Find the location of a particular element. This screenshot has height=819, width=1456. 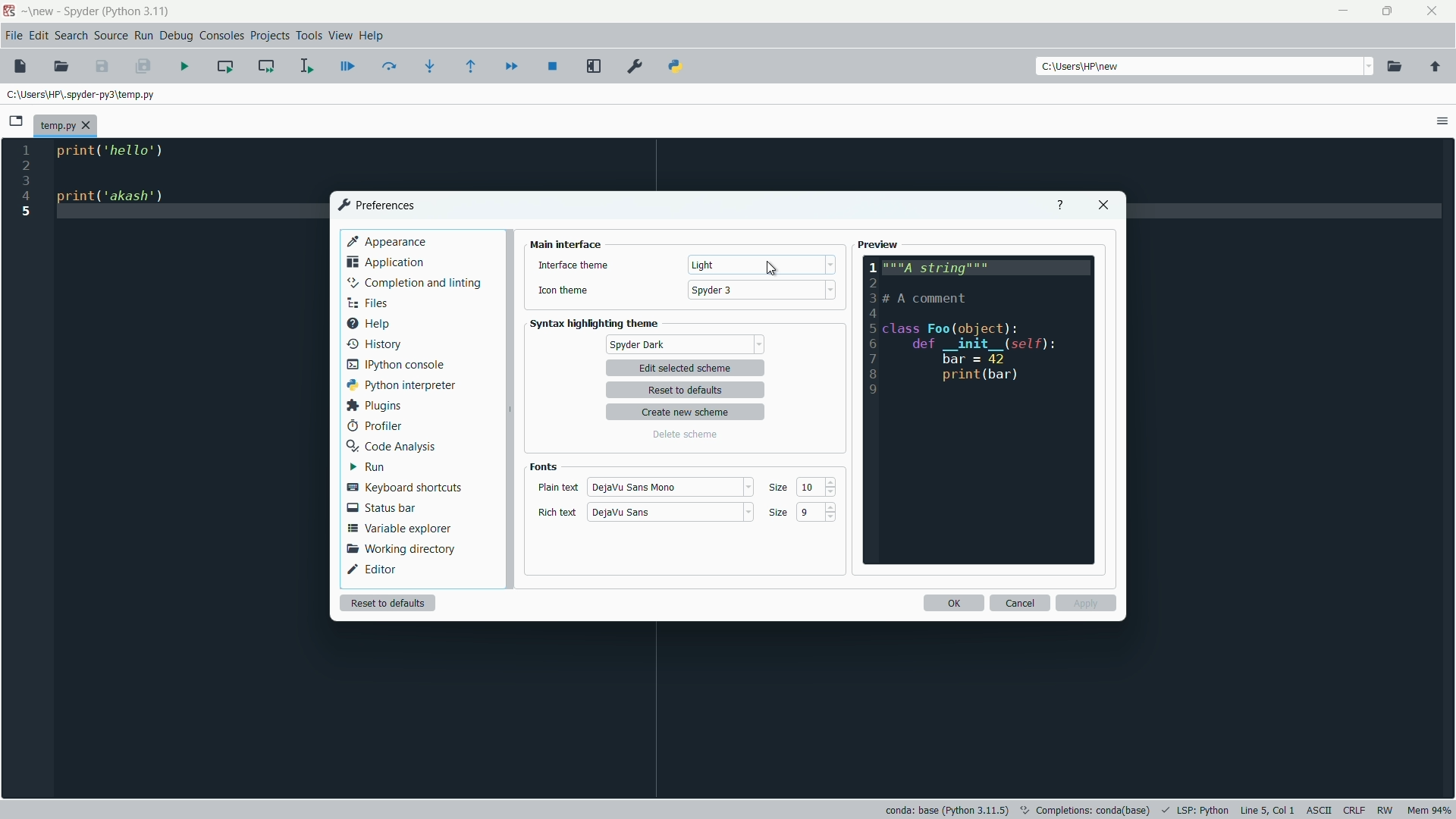

python path manager is located at coordinates (676, 67).